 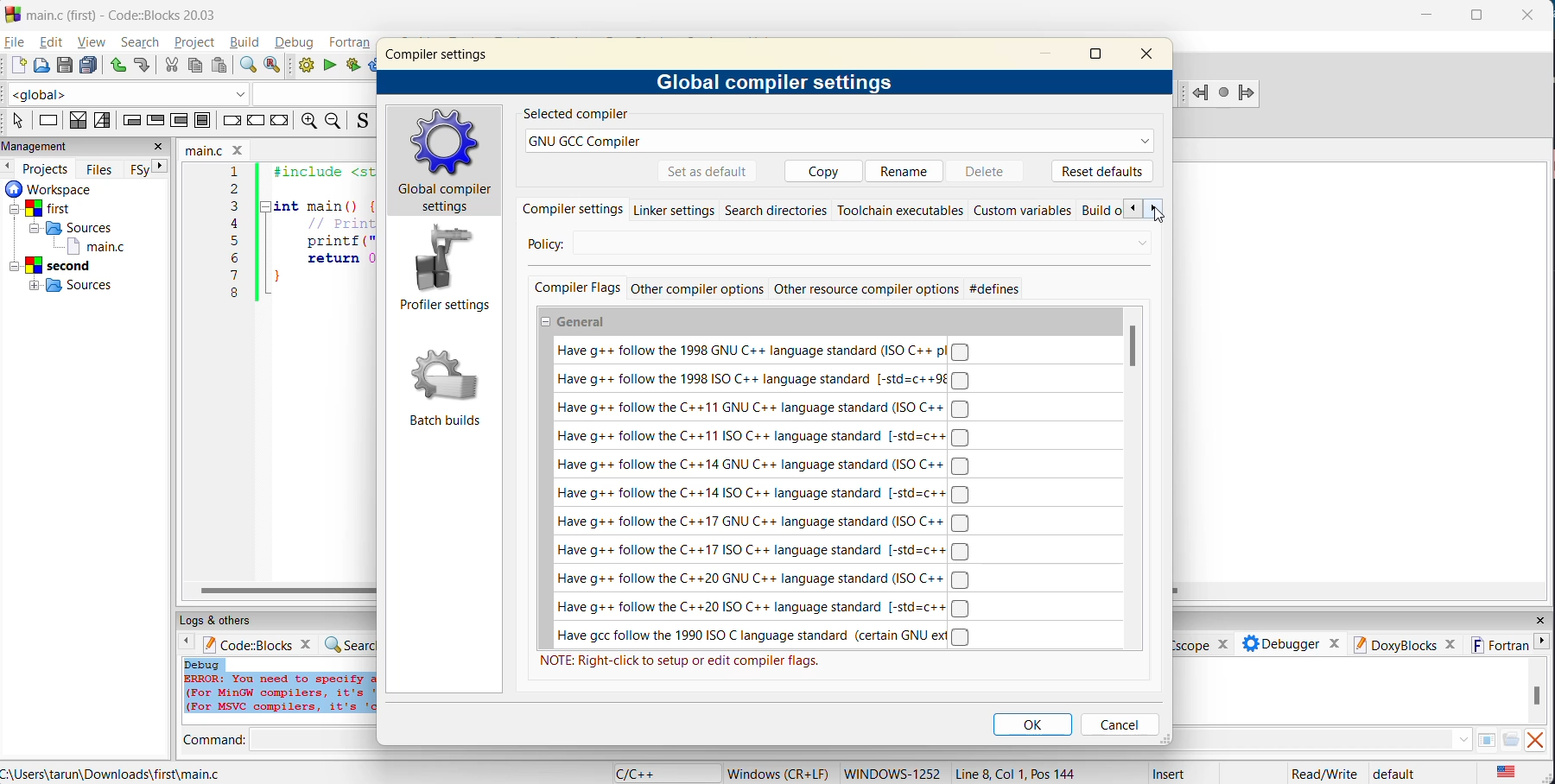 What do you see at coordinates (1127, 208) in the screenshot?
I see `previous` at bounding box center [1127, 208].